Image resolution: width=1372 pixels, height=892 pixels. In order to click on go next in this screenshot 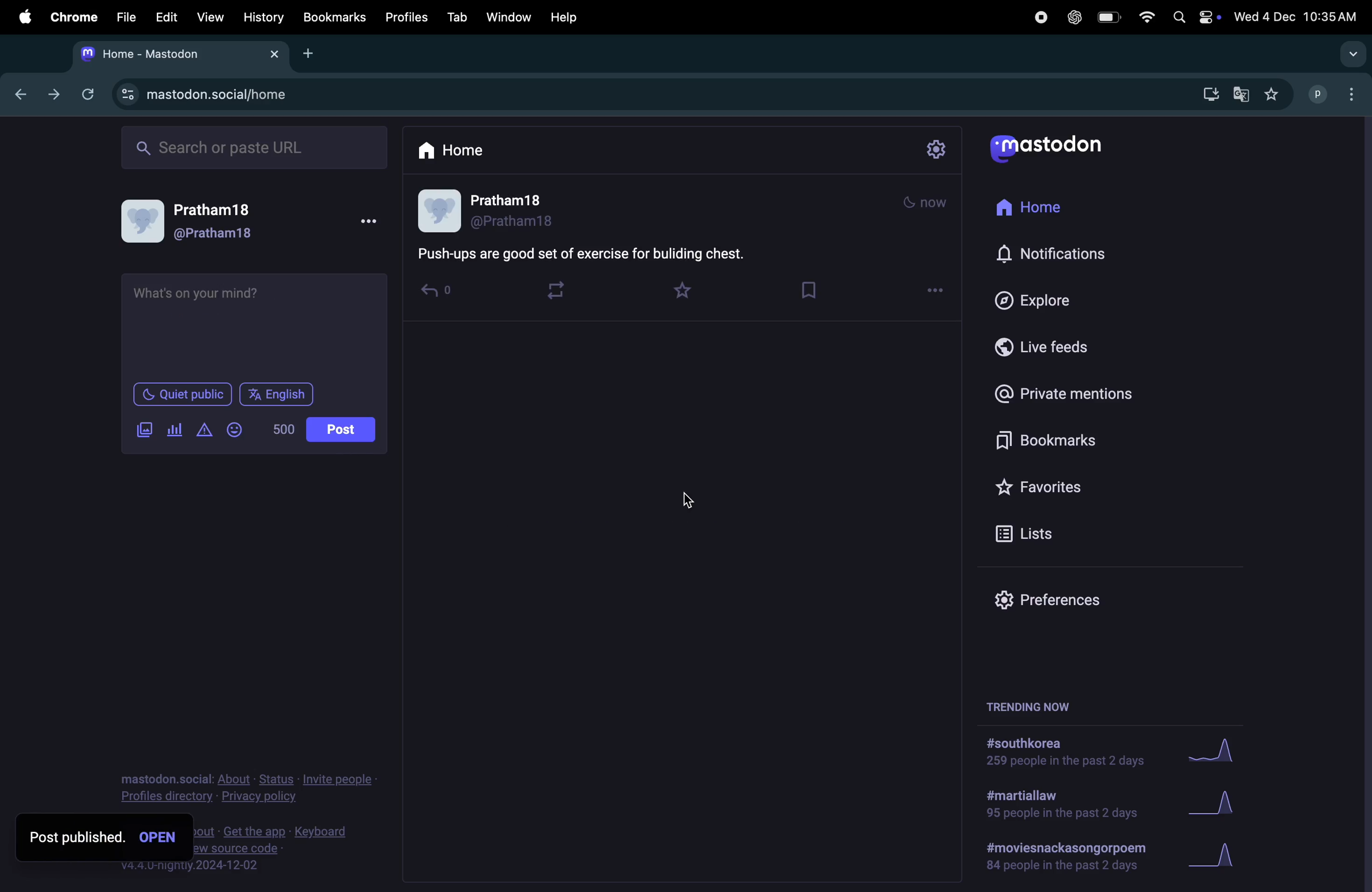, I will do `click(52, 95)`.